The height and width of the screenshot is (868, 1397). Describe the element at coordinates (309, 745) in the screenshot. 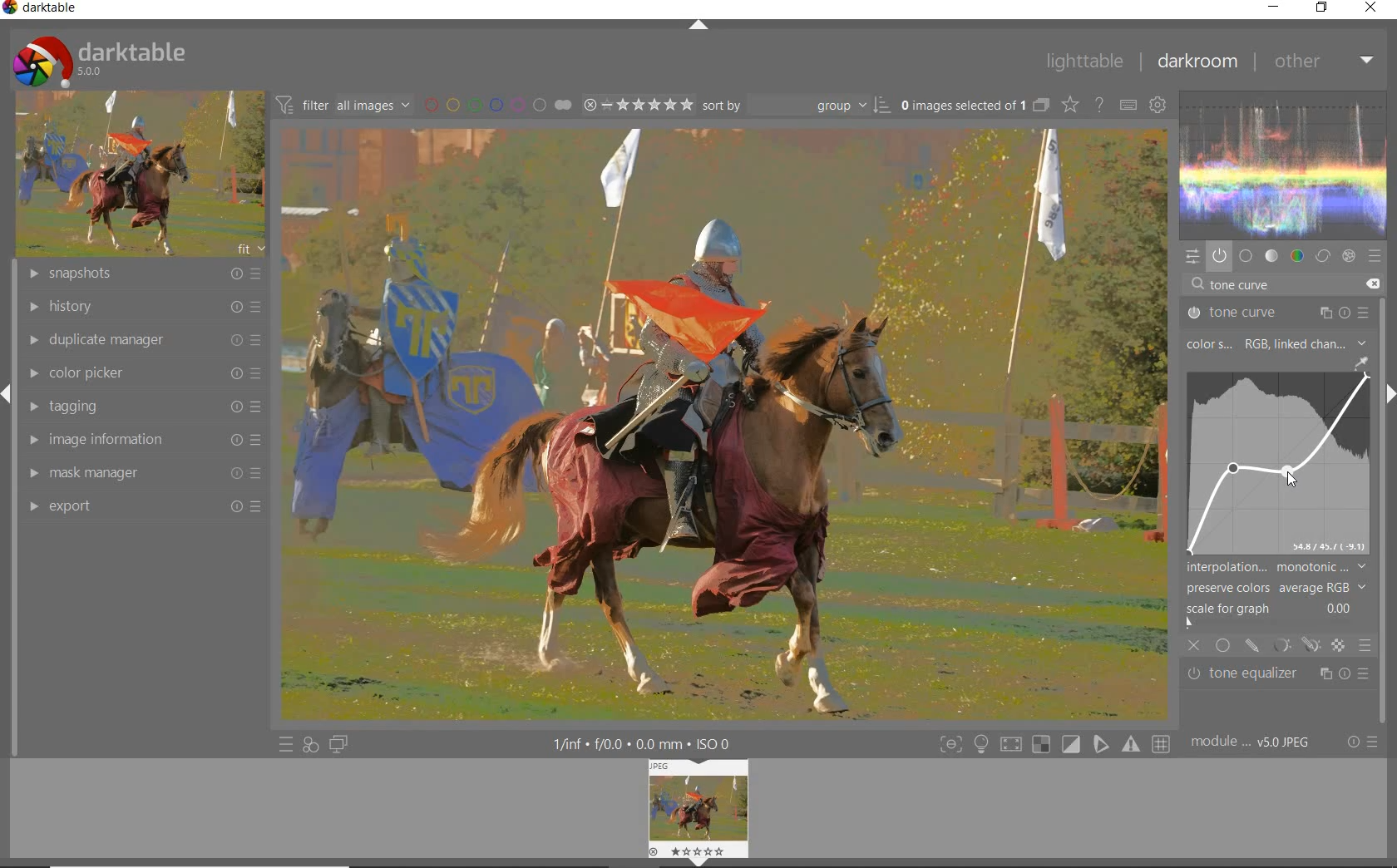

I see `quick access for applying any of your styles` at that location.